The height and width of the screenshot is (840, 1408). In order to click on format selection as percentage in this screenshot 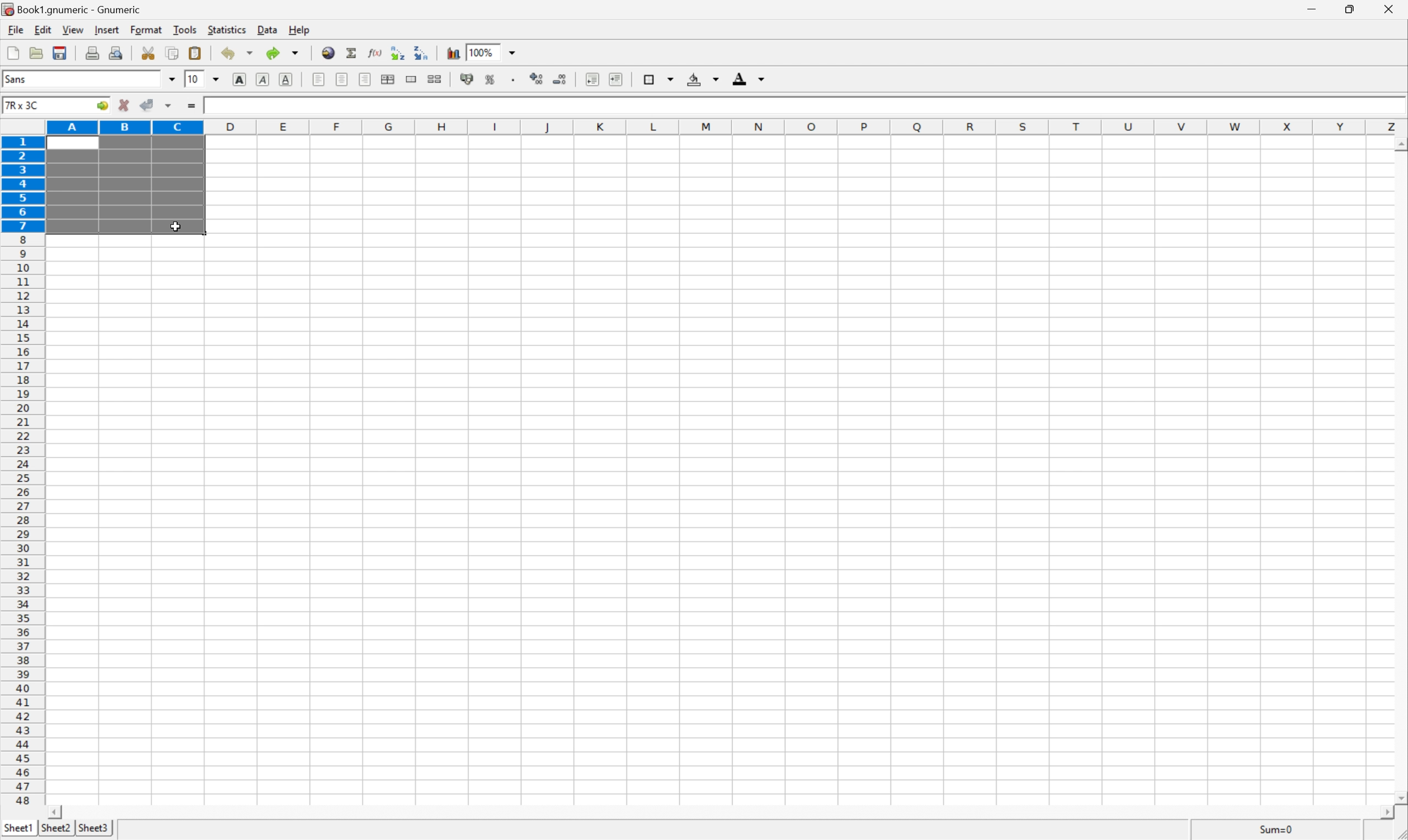, I will do `click(491, 79)`.